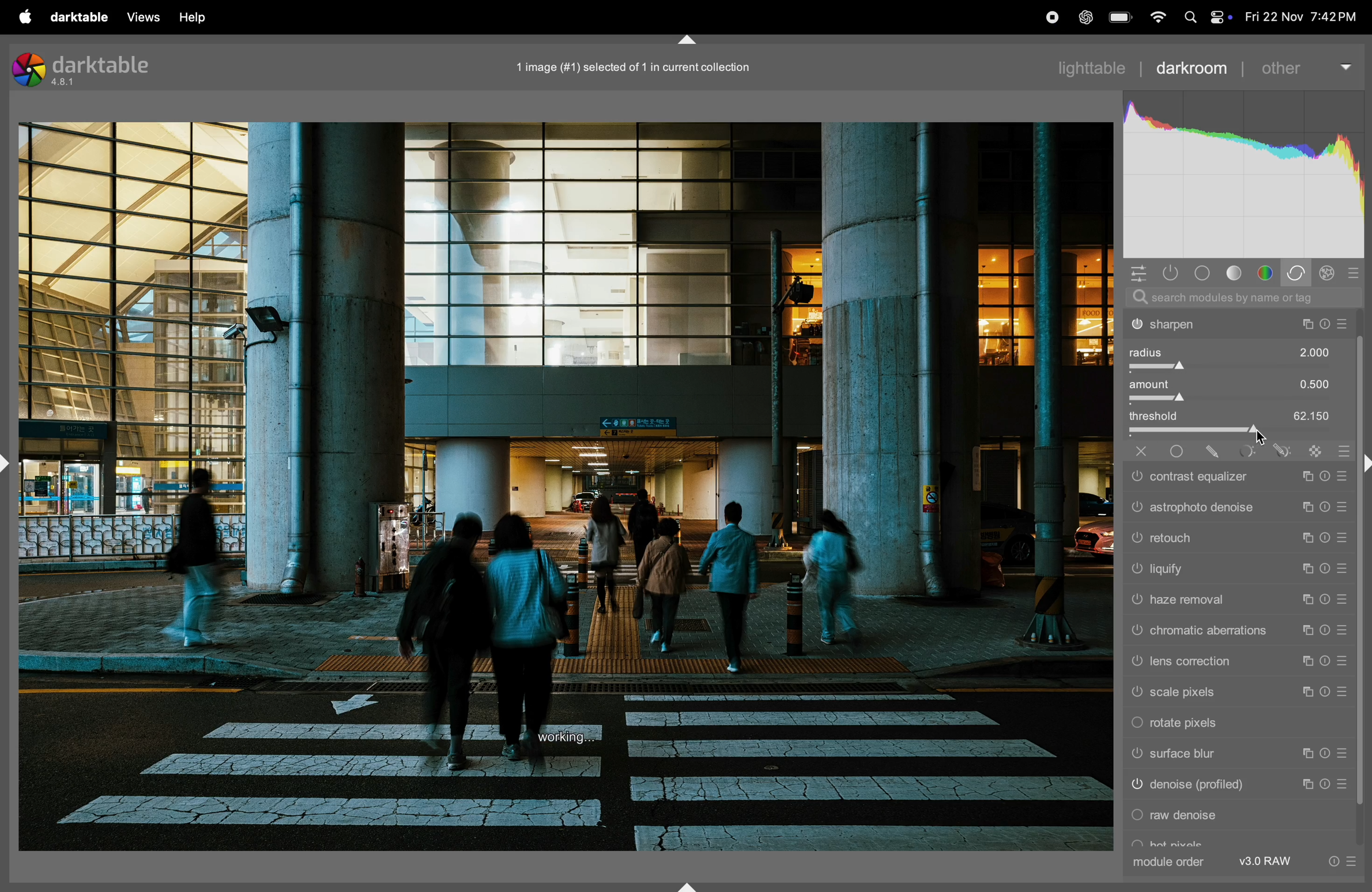  Describe the element at coordinates (1239, 325) in the screenshot. I see `shartpen` at that location.